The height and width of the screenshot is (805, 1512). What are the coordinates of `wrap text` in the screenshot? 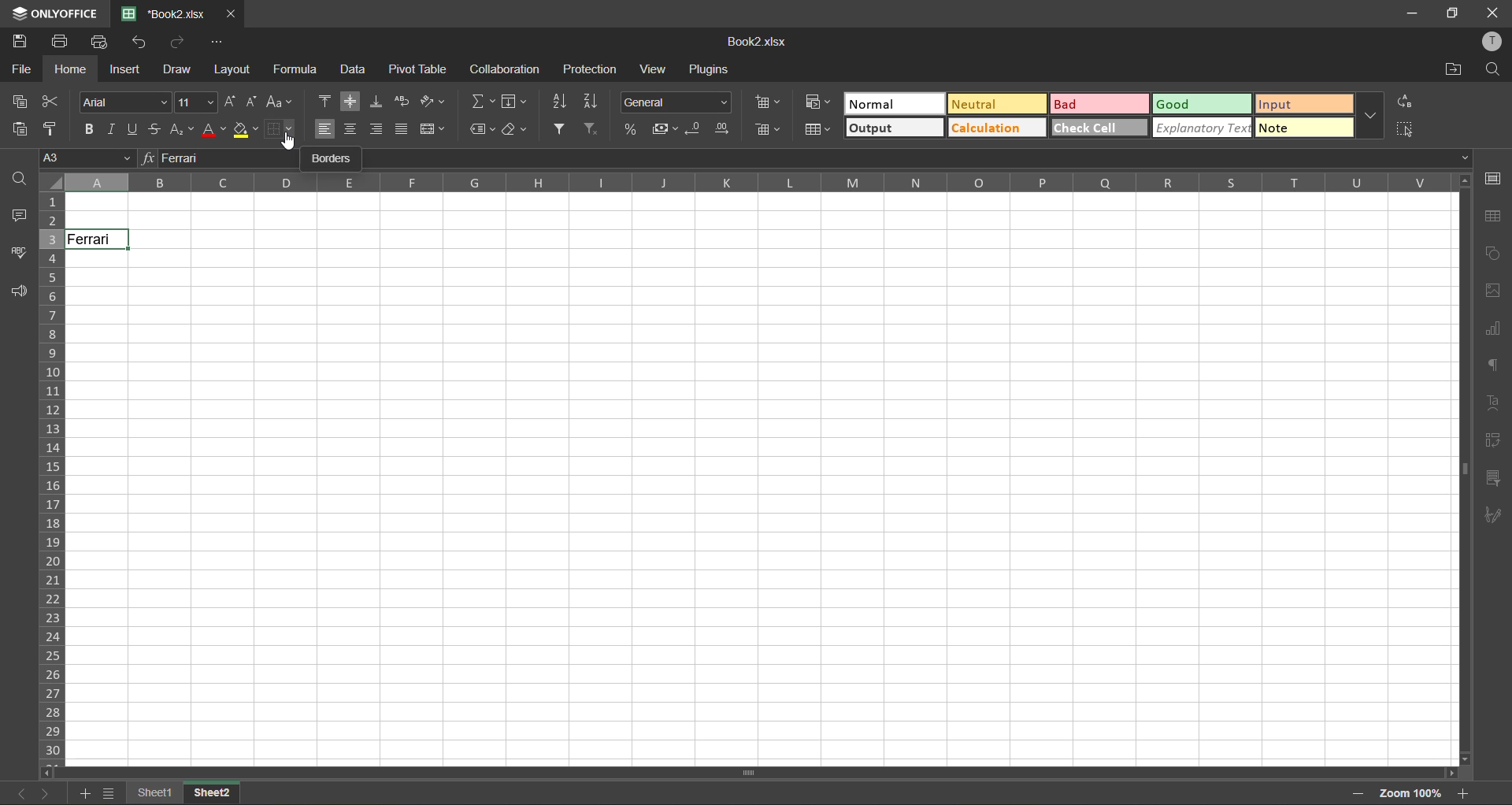 It's located at (406, 102).